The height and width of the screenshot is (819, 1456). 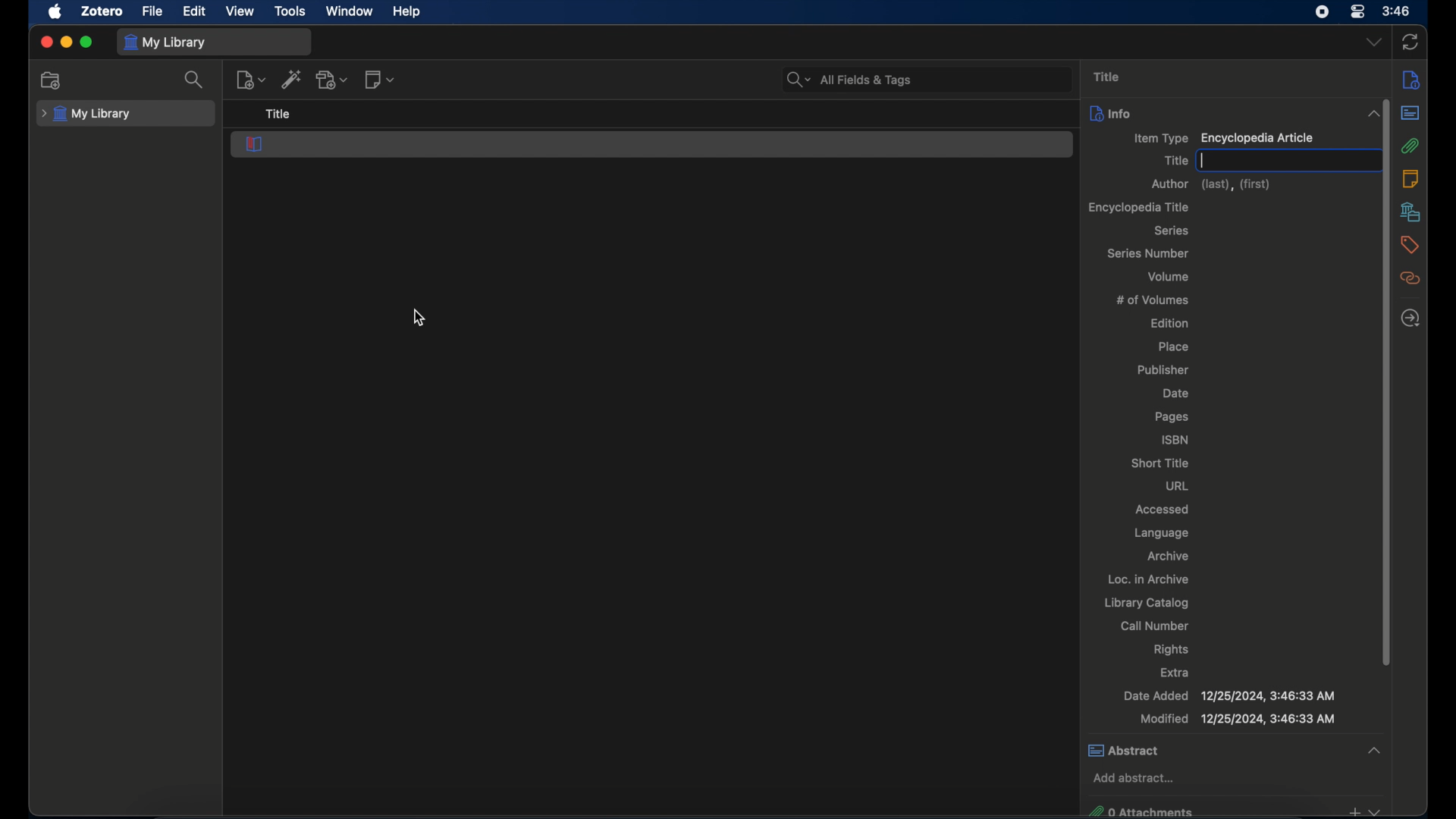 I want to click on new item, so click(x=251, y=79).